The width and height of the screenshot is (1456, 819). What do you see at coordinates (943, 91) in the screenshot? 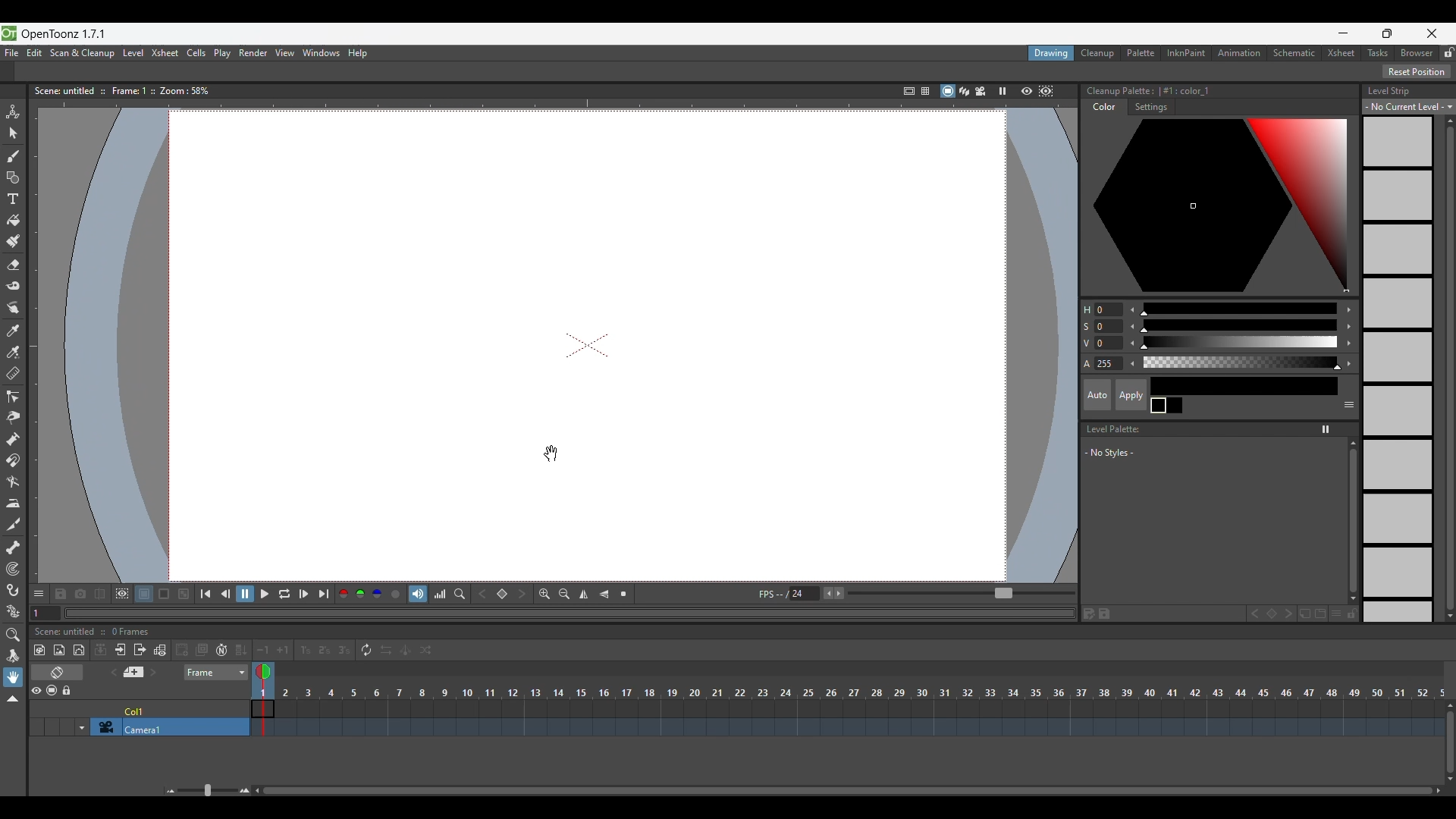
I see `Camera stand view` at bounding box center [943, 91].